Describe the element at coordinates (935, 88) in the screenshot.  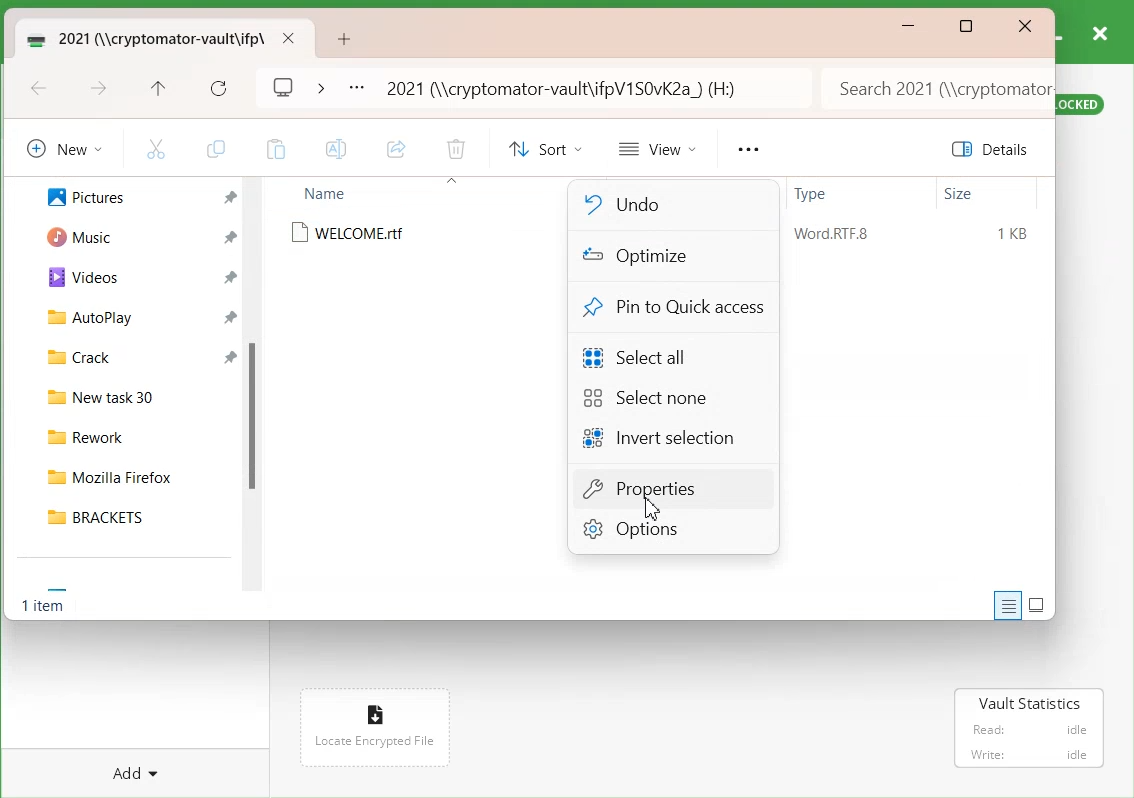
I see `Search bar` at that location.